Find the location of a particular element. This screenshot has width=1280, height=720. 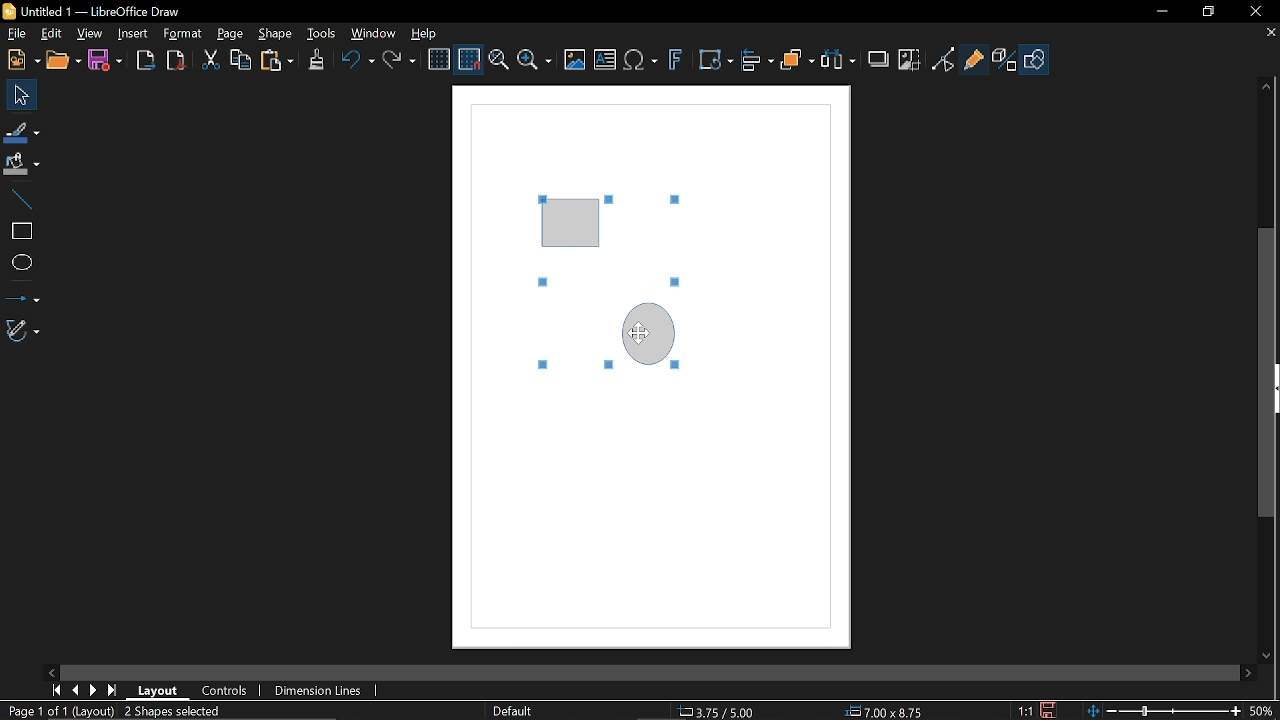

Export is located at coordinates (145, 63).